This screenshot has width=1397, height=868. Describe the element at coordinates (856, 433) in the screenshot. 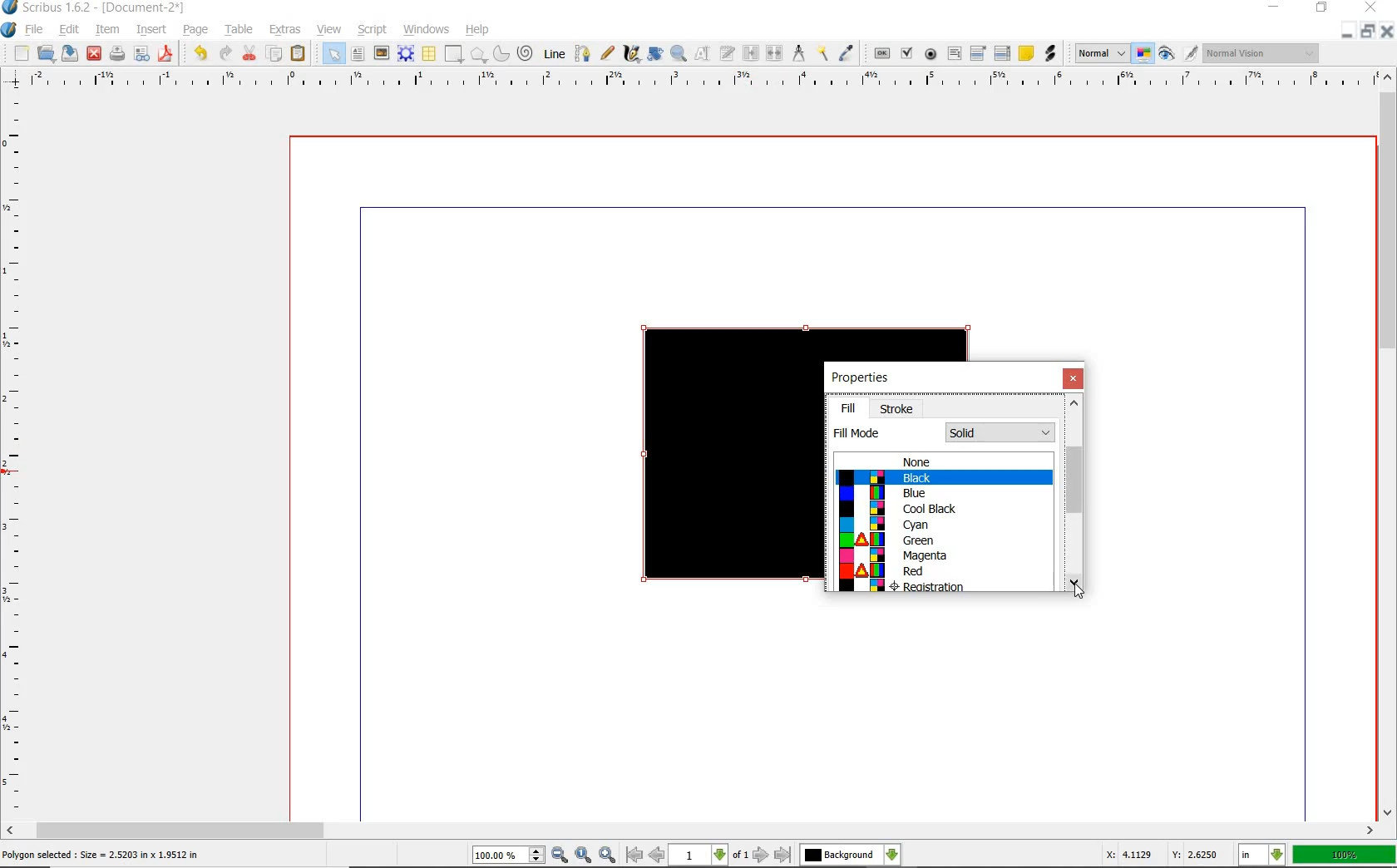

I see `fill mode` at that location.